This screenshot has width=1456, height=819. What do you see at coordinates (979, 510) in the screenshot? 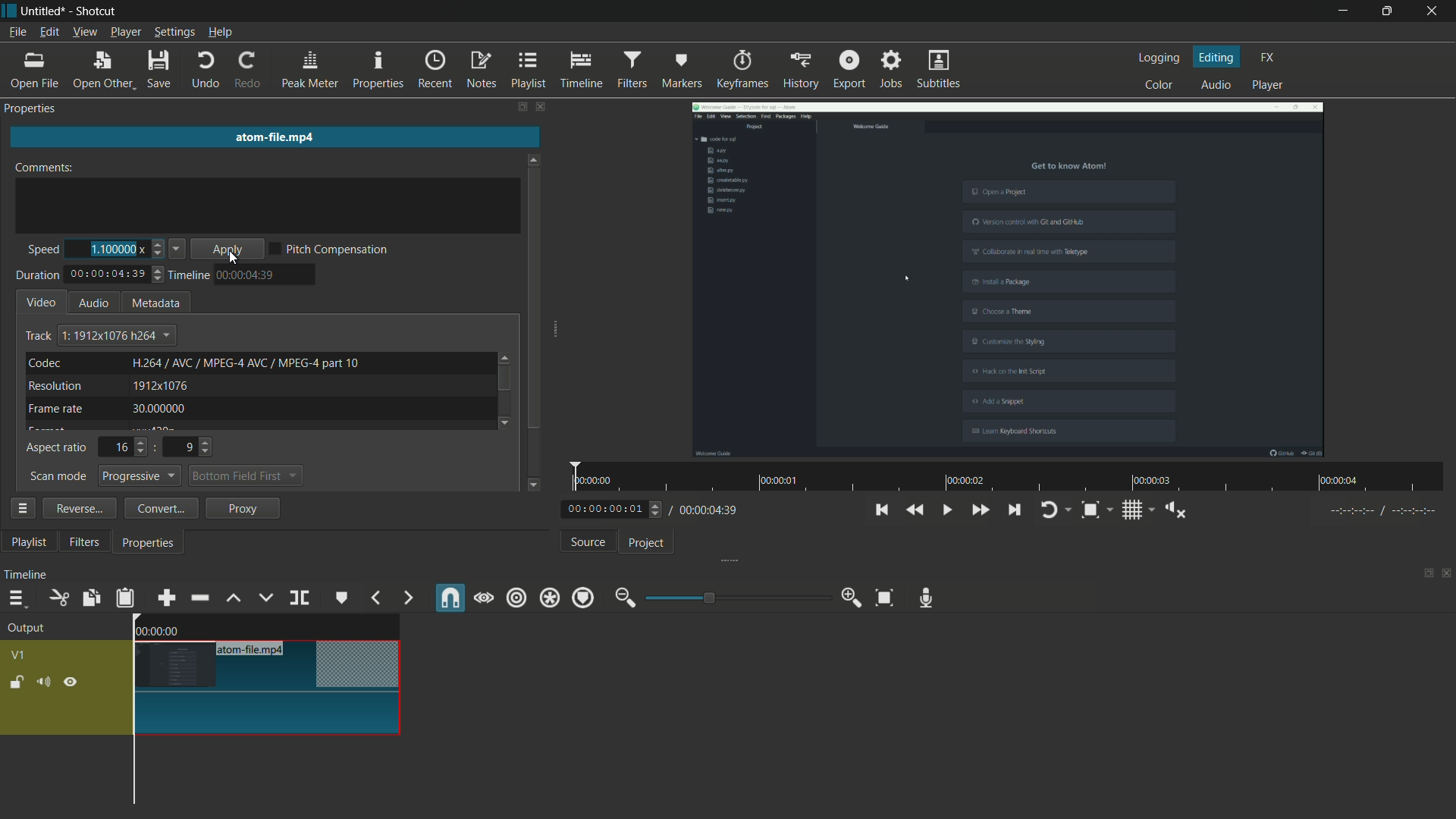
I see `quickly play forward` at bounding box center [979, 510].